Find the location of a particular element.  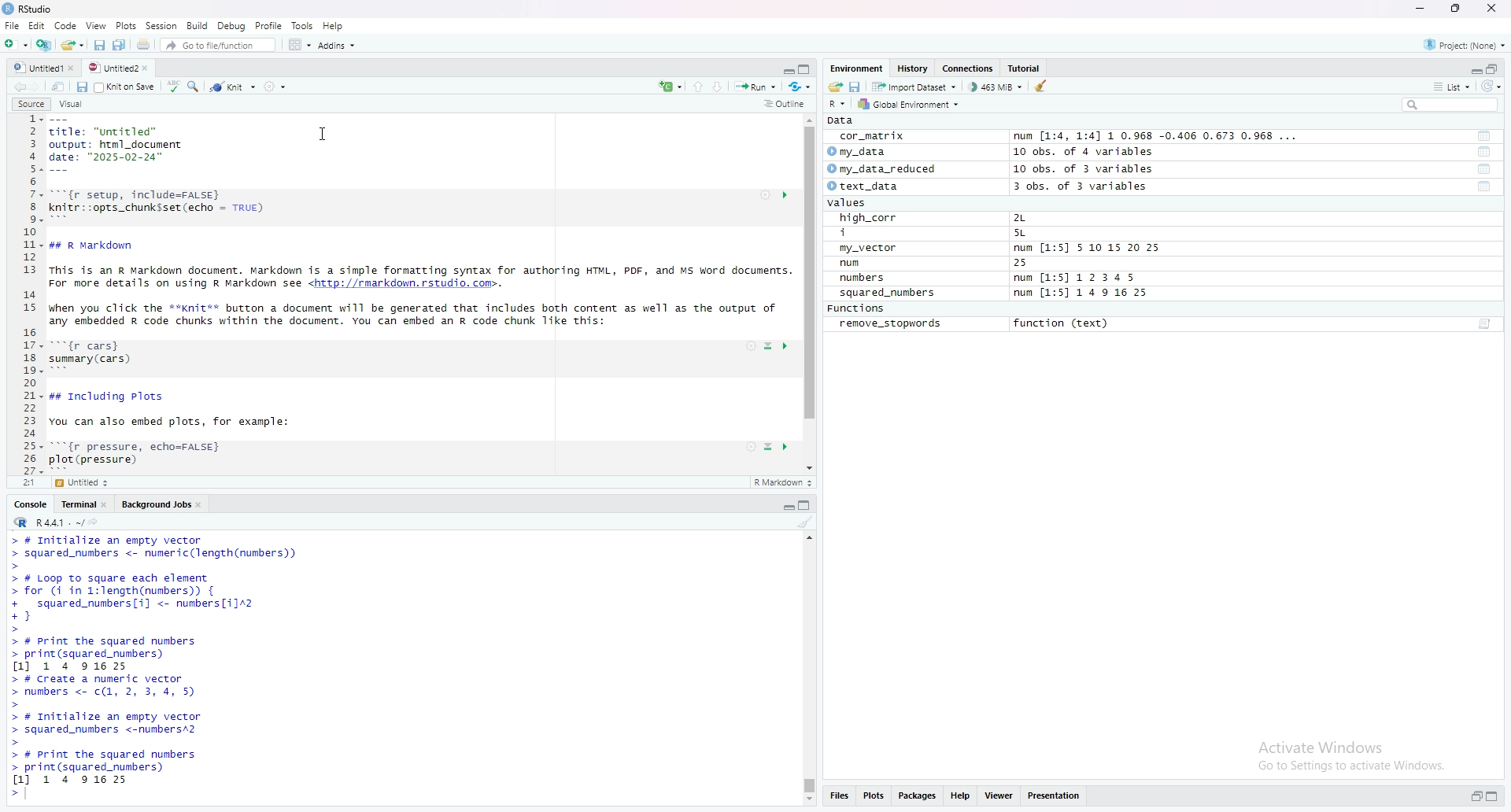

Plots is located at coordinates (125, 25).